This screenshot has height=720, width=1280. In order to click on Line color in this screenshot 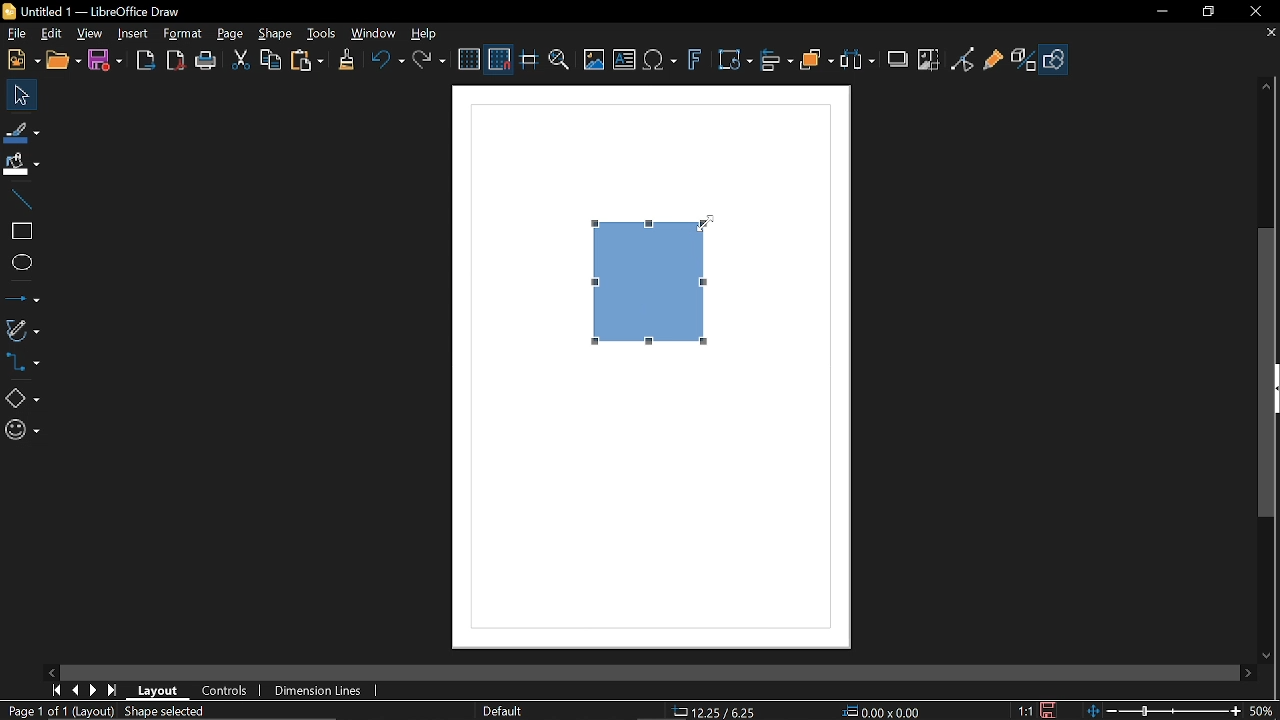, I will do `click(21, 129)`.